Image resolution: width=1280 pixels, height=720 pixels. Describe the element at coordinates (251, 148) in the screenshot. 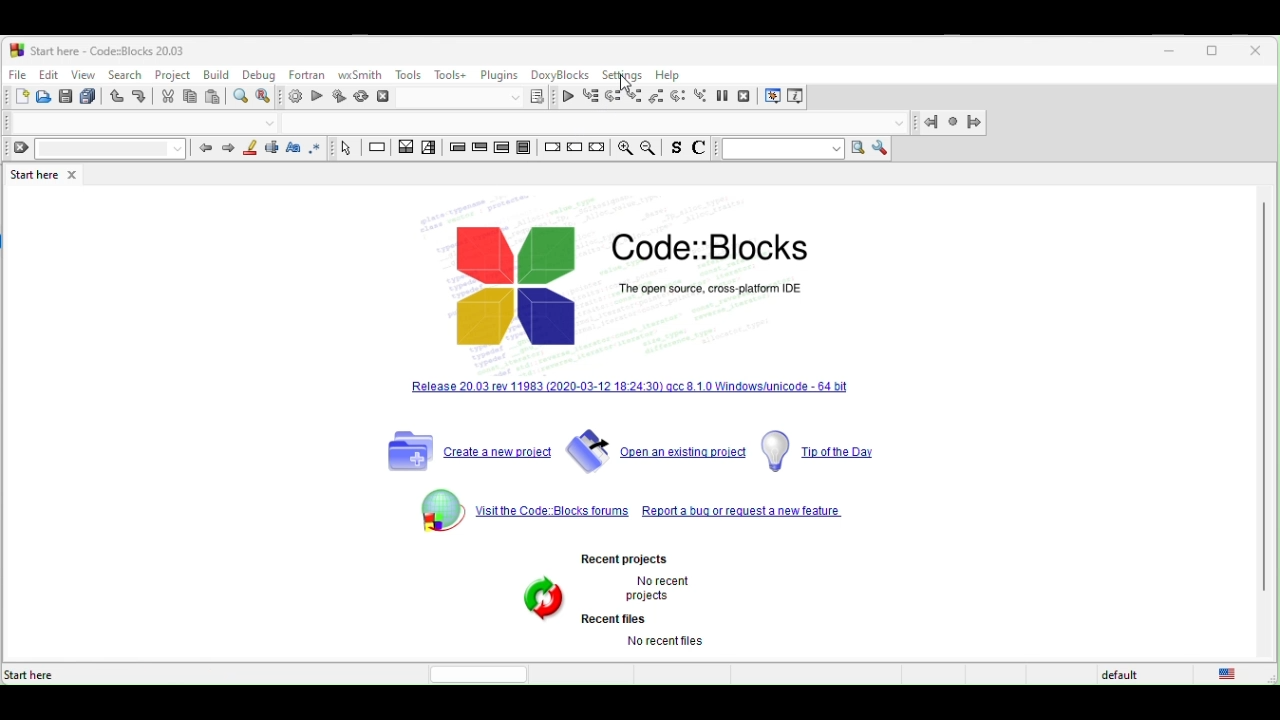

I see `highlight` at that location.